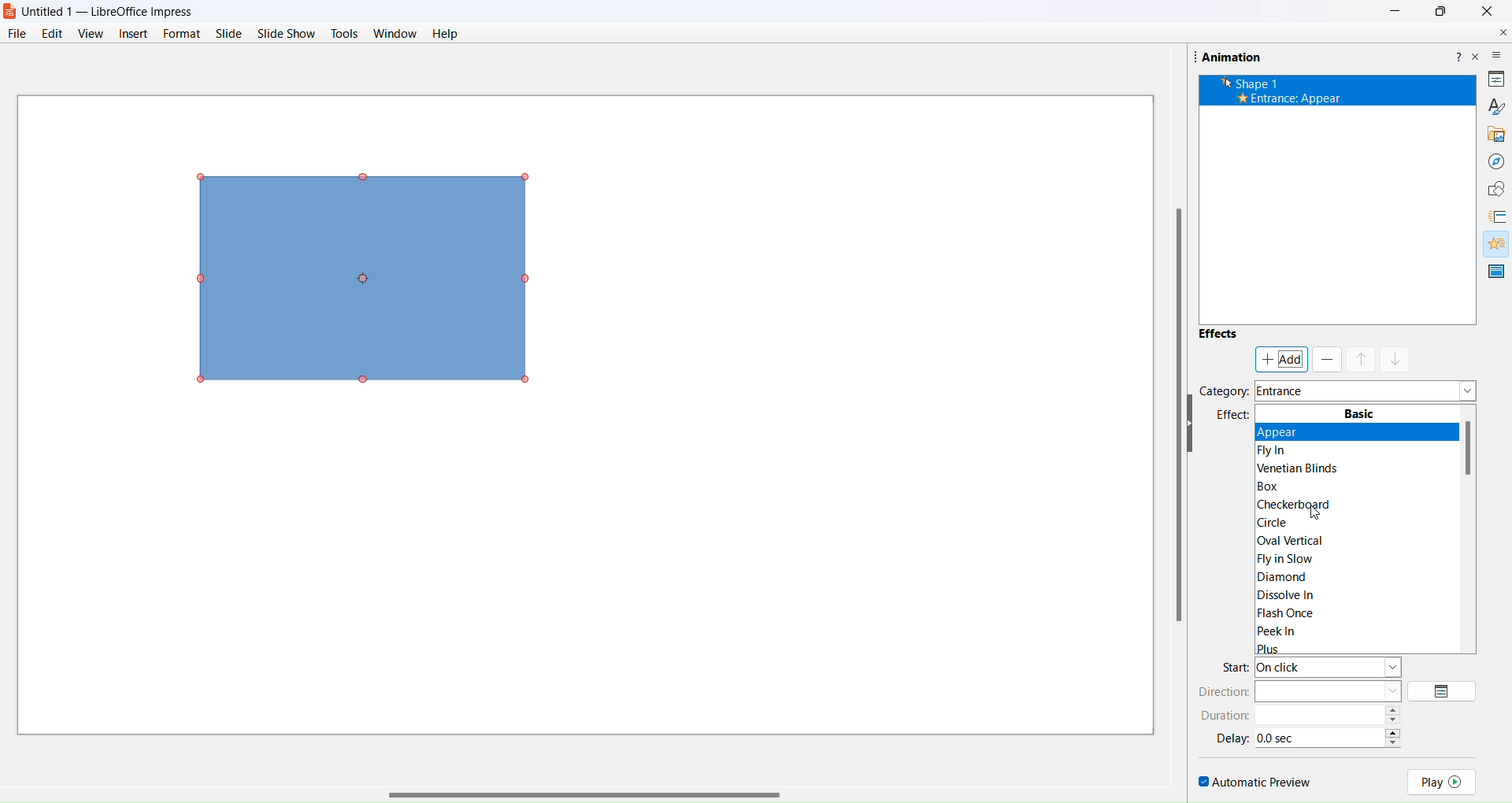 The image size is (1512, 803). I want to click on Venetian Blinds, so click(1303, 468).